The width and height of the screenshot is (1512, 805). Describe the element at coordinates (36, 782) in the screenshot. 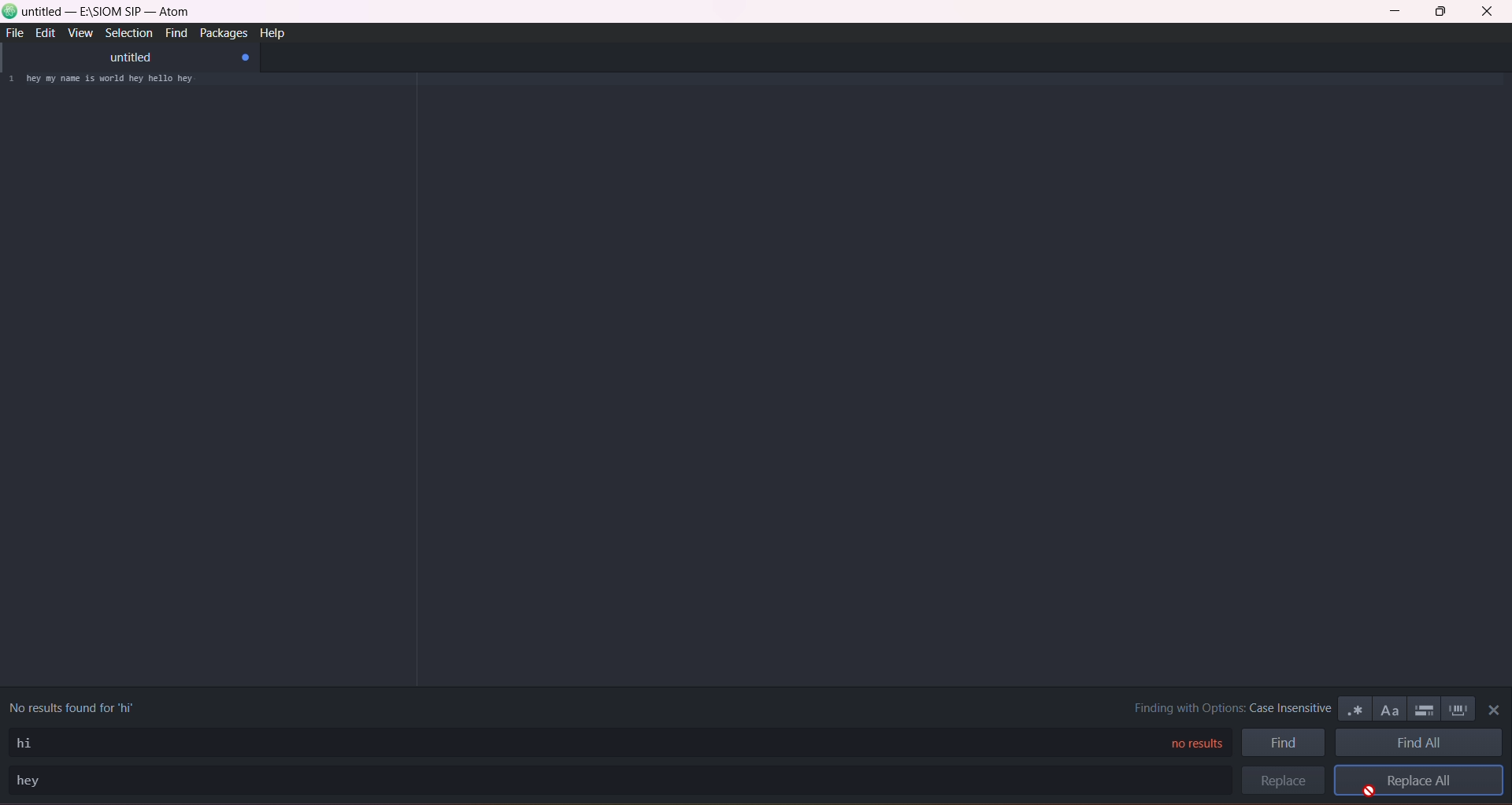

I see `replace text` at that location.